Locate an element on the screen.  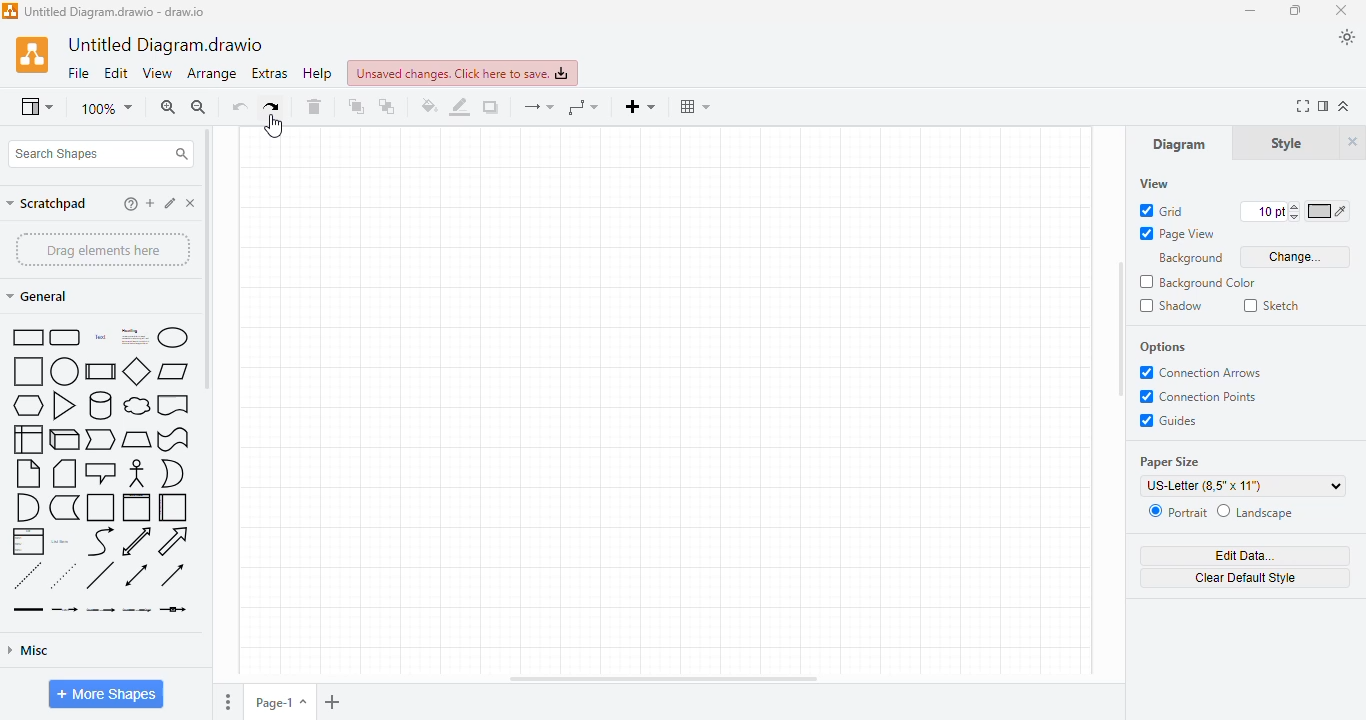
background color is located at coordinates (1197, 283).